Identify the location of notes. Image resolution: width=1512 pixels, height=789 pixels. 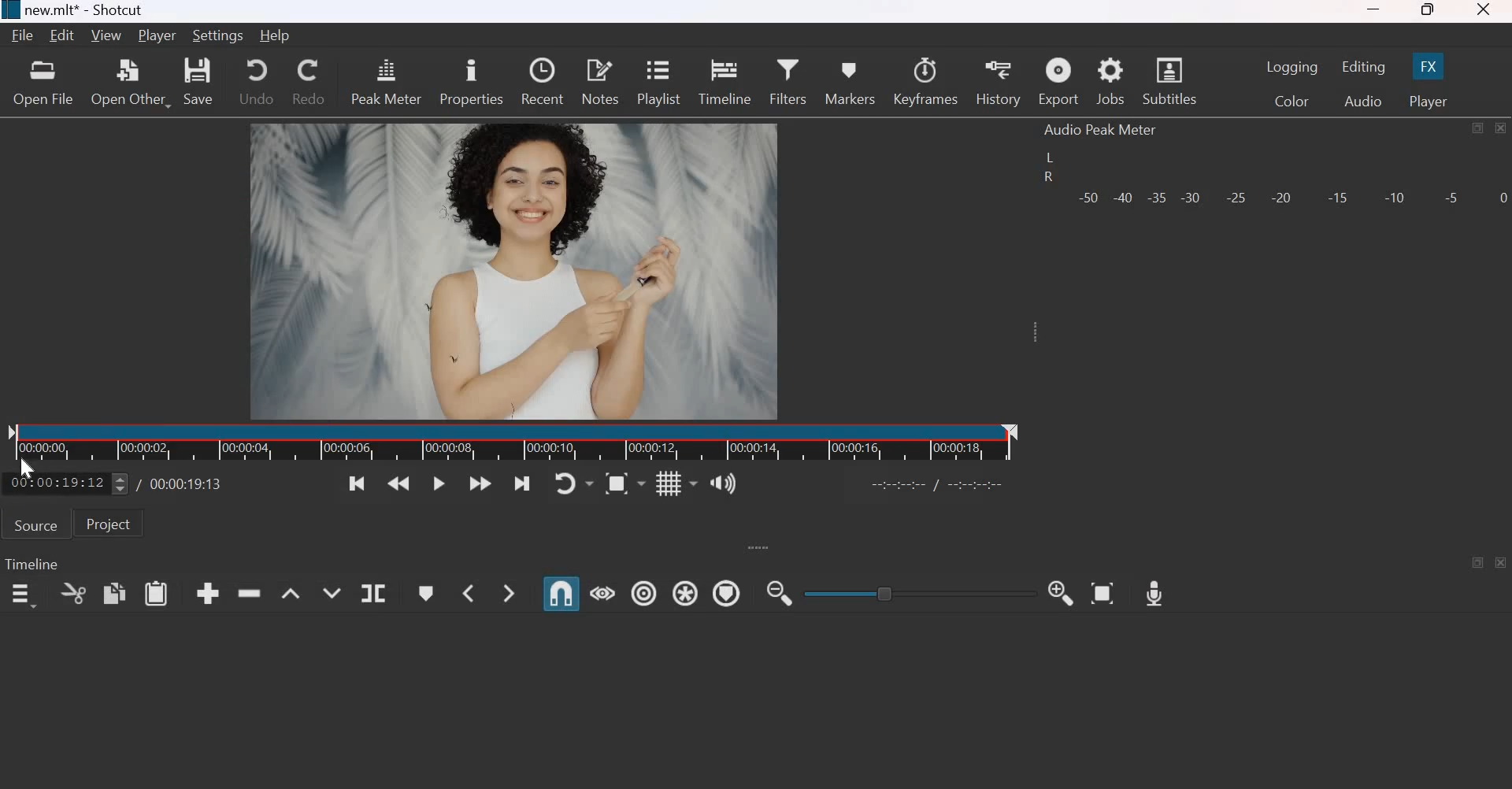
(600, 80).